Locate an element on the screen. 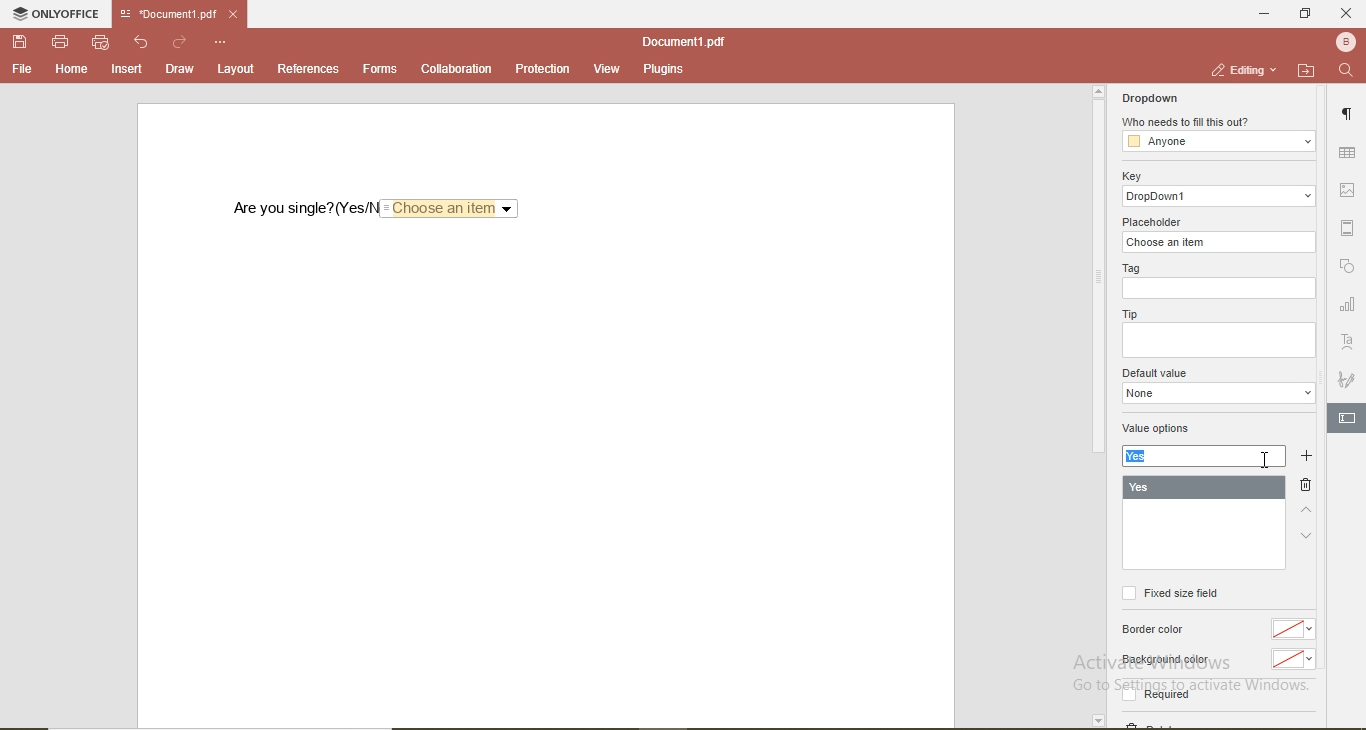 The height and width of the screenshot is (730, 1366). view is located at coordinates (607, 69).